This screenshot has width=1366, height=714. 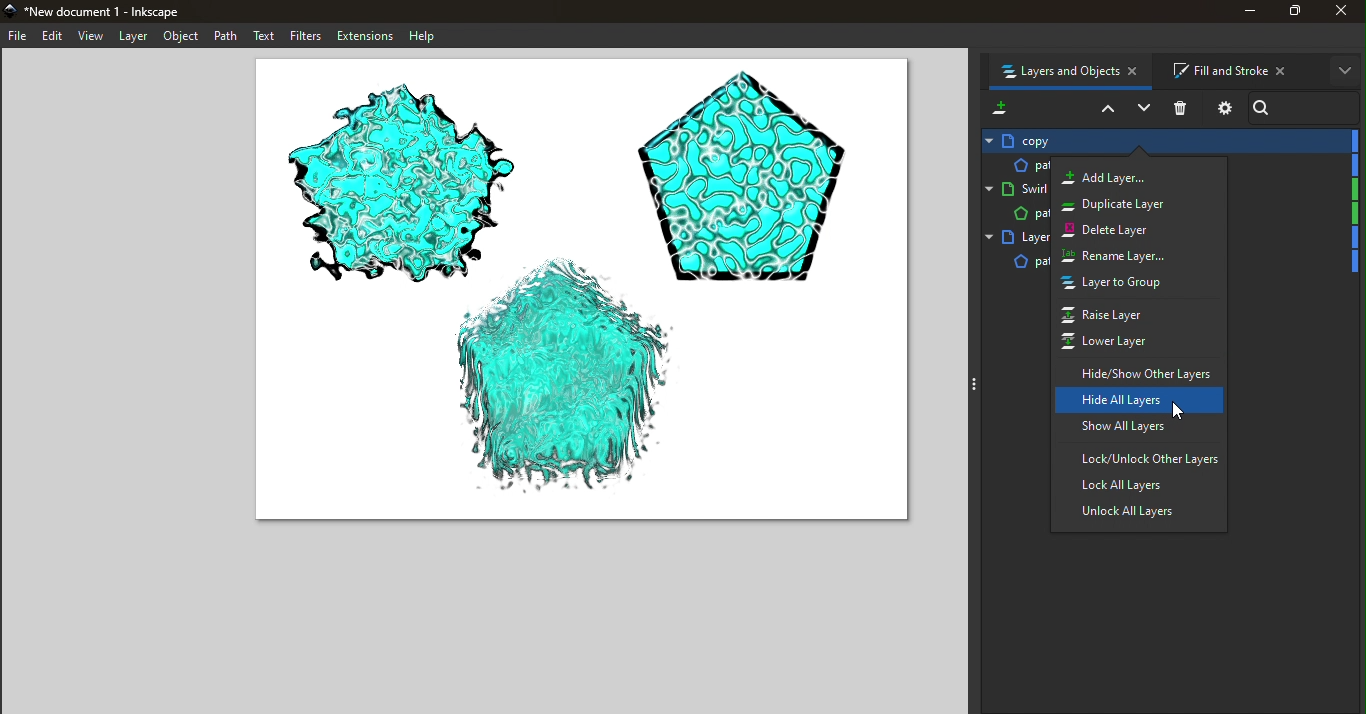 I want to click on Filters, so click(x=306, y=36).